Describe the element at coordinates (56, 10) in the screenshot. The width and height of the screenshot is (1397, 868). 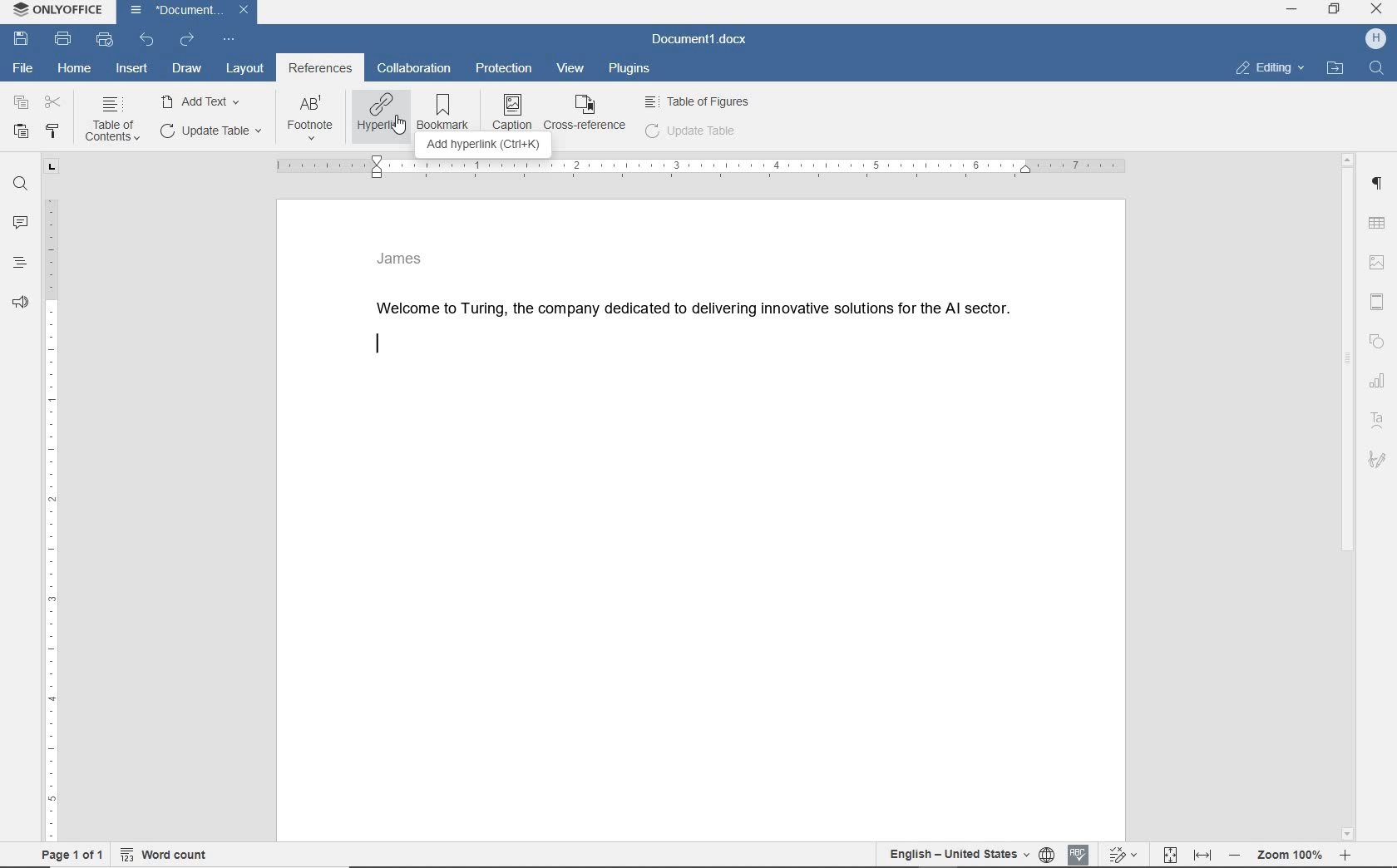
I see `ONLYOFFICE` at that location.